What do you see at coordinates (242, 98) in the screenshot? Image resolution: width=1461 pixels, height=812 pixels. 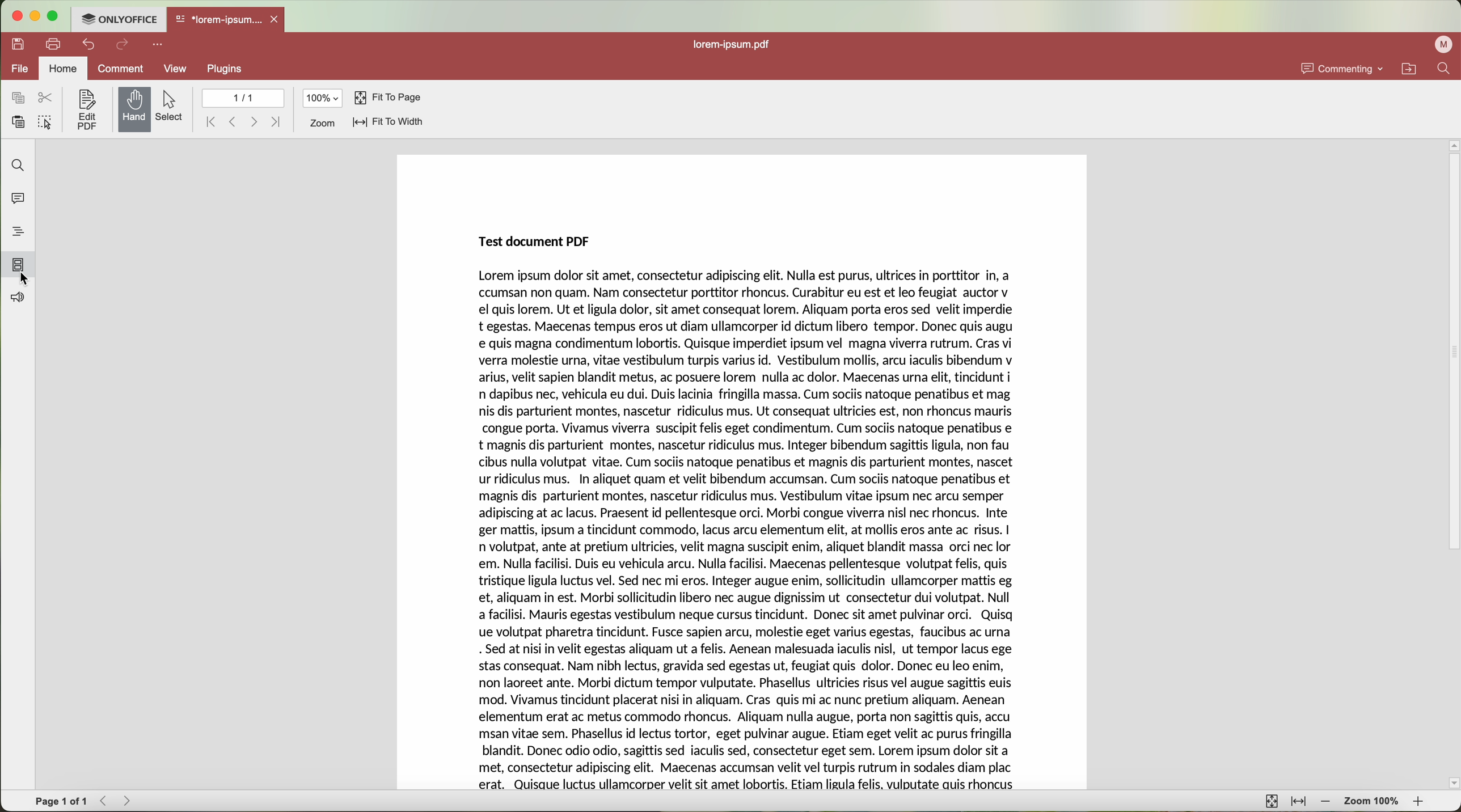 I see `1/1` at bounding box center [242, 98].